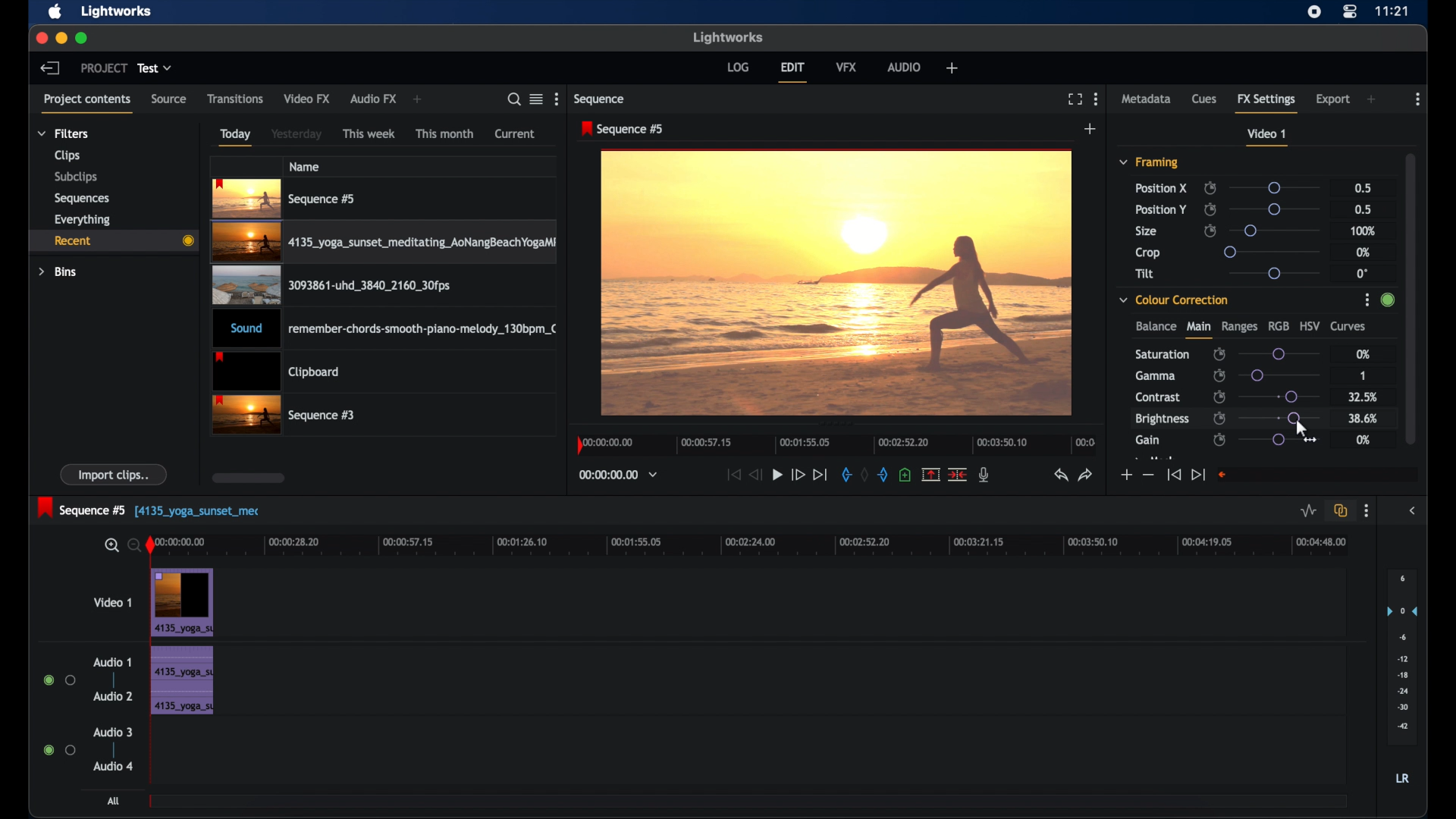 The height and width of the screenshot is (819, 1456). What do you see at coordinates (1363, 440) in the screenshot?
I see `0%` at bounding box center [1363, 440].